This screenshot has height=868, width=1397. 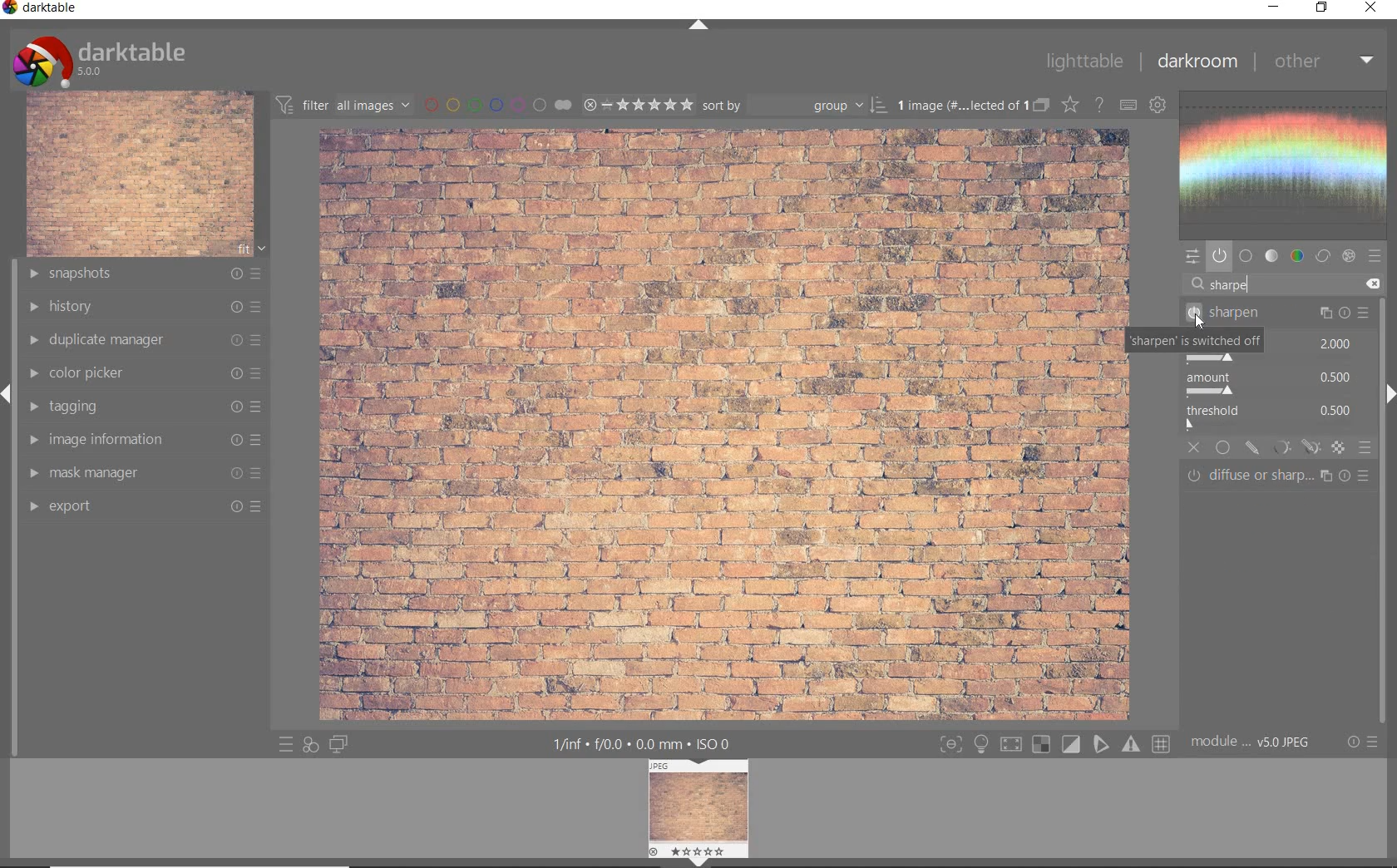 I want to click on other, so click(x=1325, y=62).